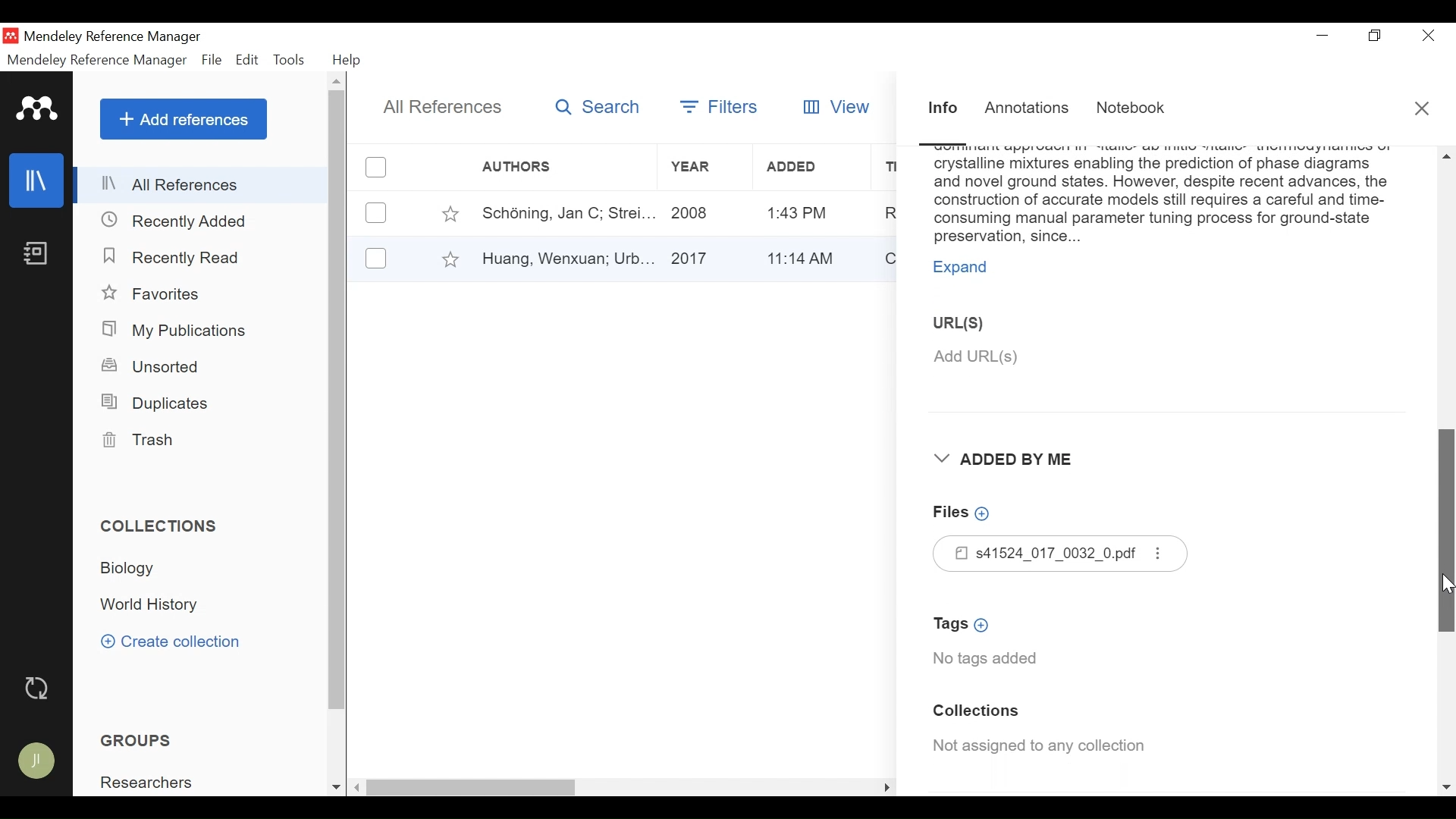  What do you see at coordinates (807, 256) in the screenshot?
I see `Added` at bounding box center [807, 256].